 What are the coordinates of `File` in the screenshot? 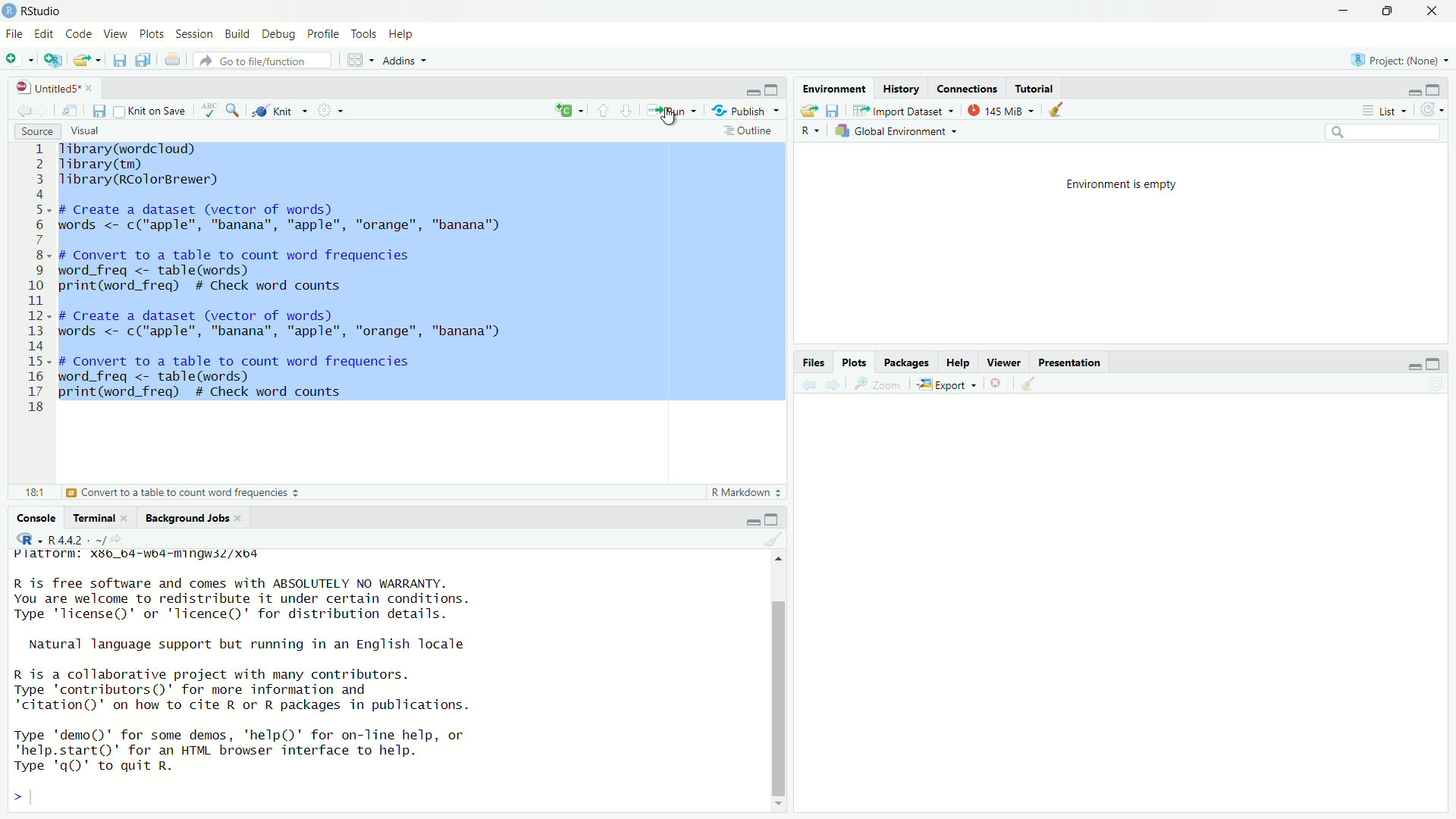 It's located at (13, 33).